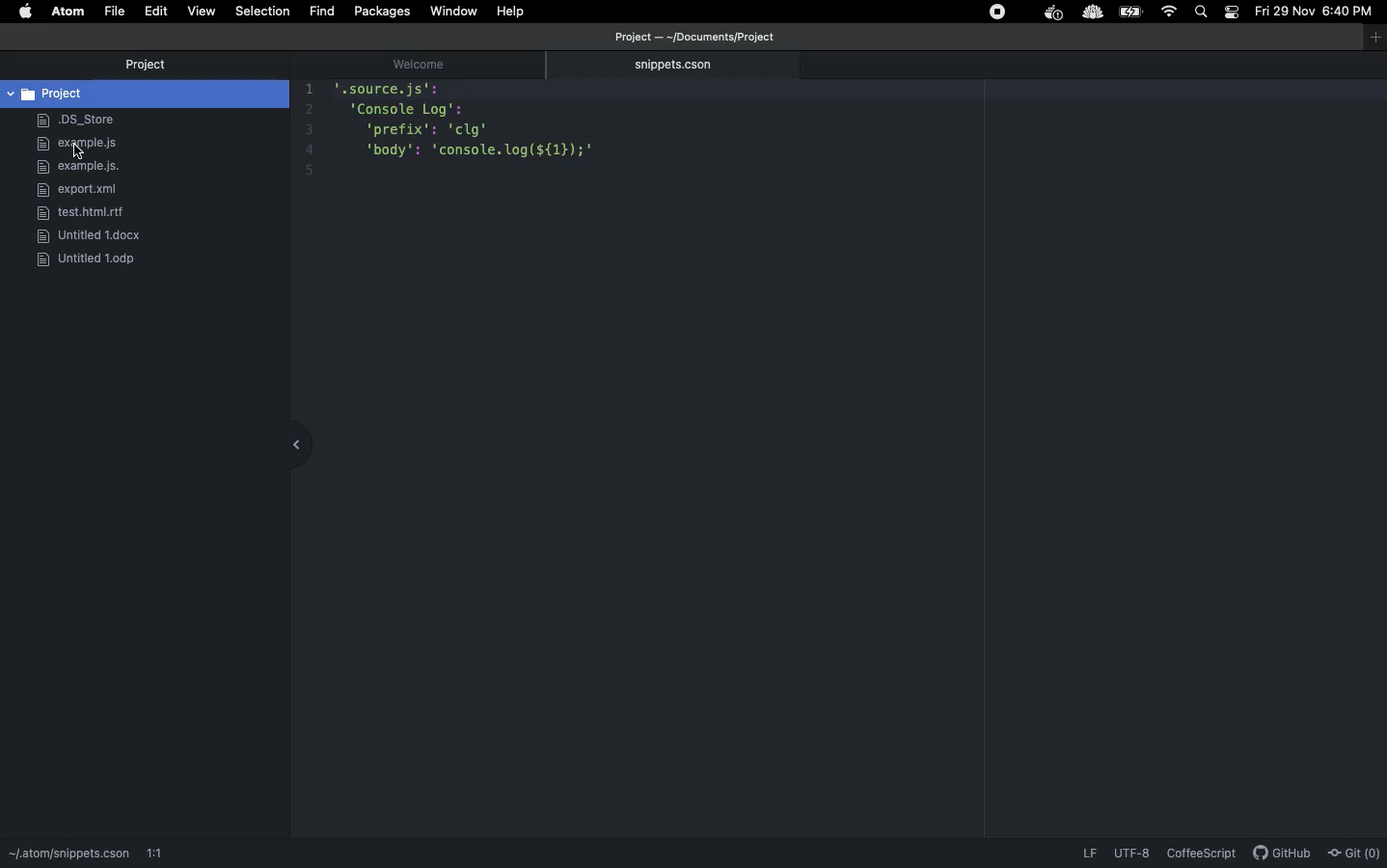 The height and width of the screenshot is (868, 1387). Describe the element at coordinates (1052, 14) in the screenshot. I see `extension` at that location.